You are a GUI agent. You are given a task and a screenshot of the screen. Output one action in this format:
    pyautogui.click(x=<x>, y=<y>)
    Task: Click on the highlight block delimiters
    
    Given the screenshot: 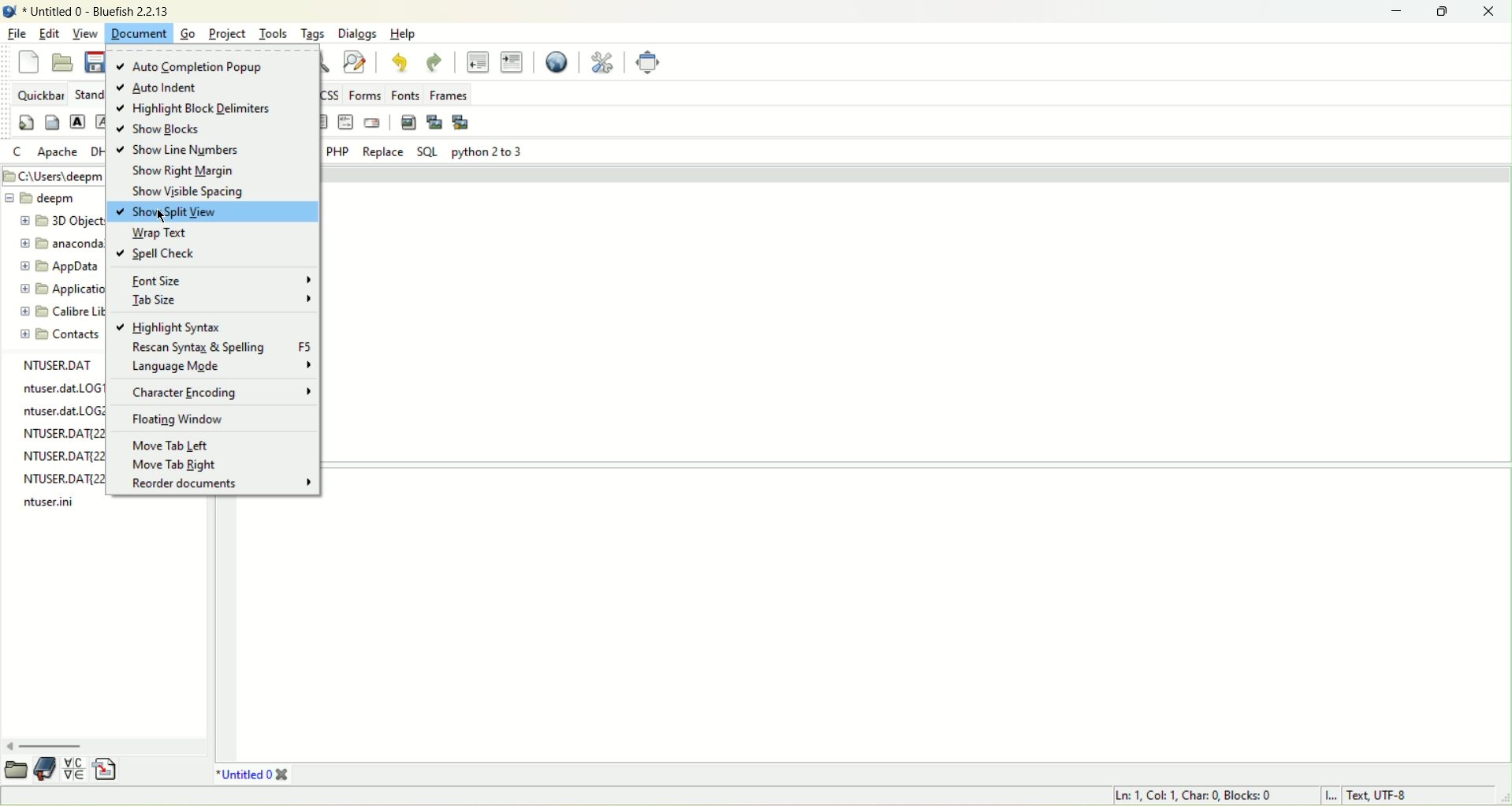 What is the action you would take?
    pyautogui.click(x=194, y=110)
    